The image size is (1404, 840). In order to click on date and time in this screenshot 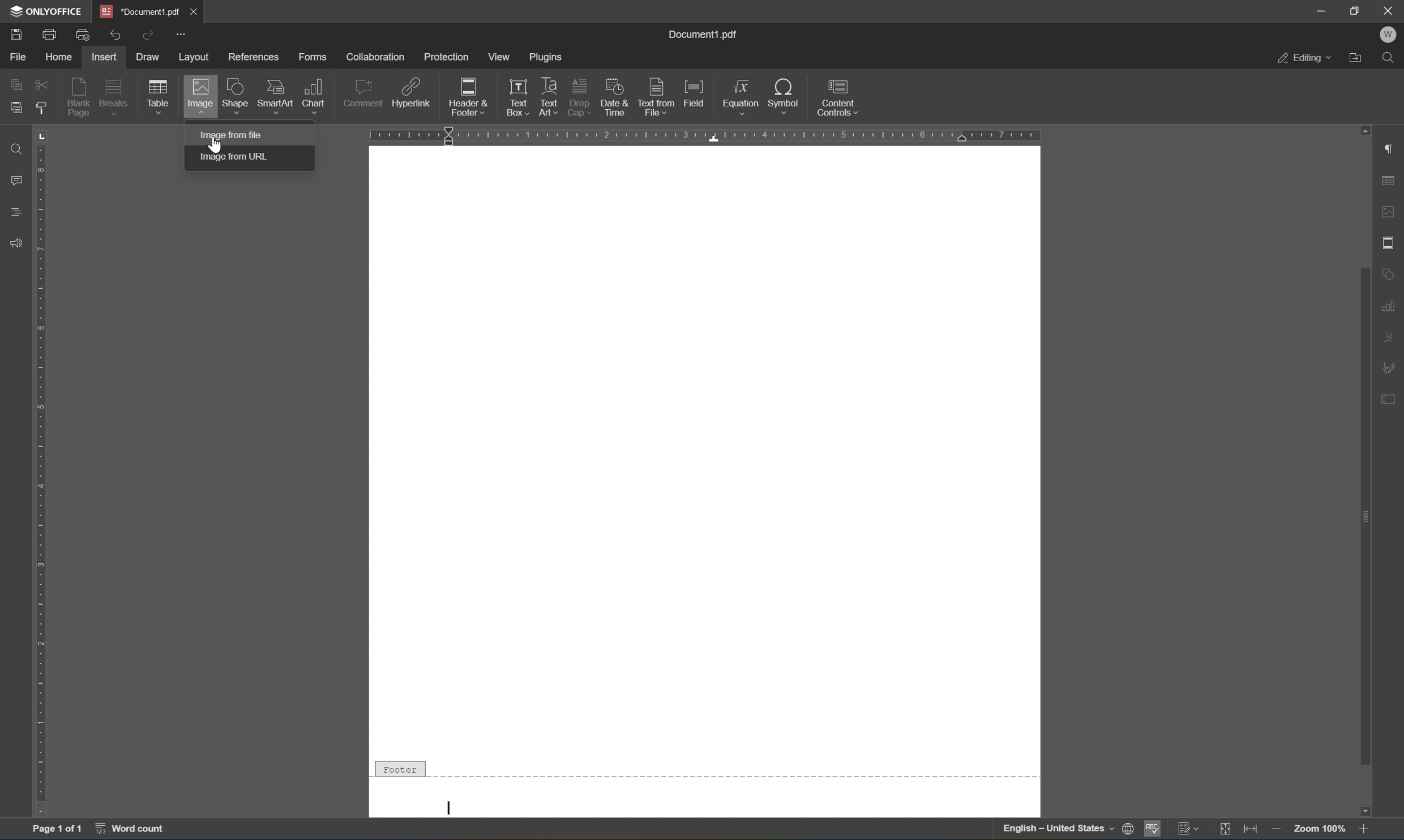, I will do `click(616, 97)`.